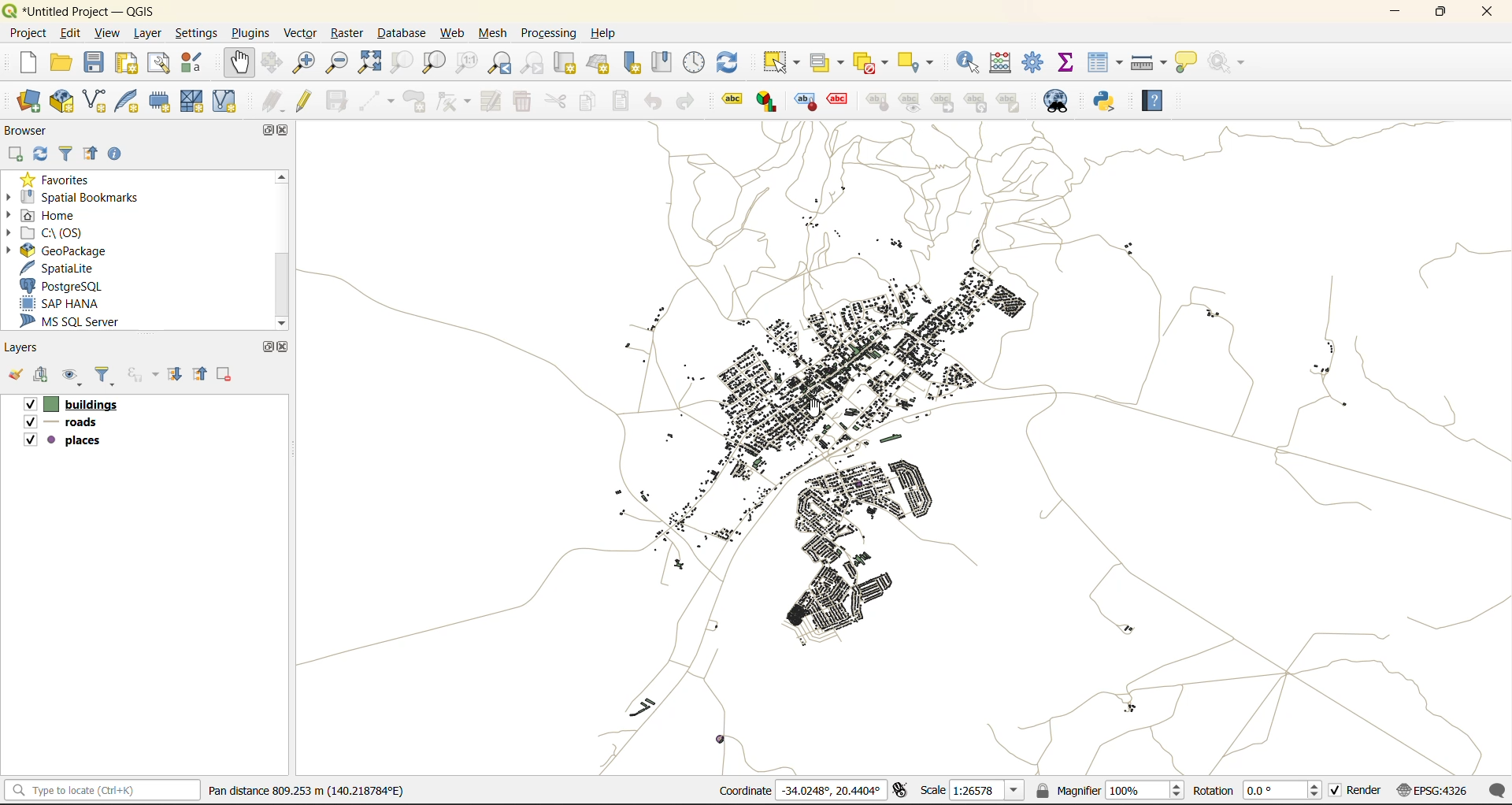 Image resolution: width=1512 pixels, height=805 pixels. What do you see at coordinates (843, 99) in the screenshot?
I see `Effect` at bounding box center [843, 99].